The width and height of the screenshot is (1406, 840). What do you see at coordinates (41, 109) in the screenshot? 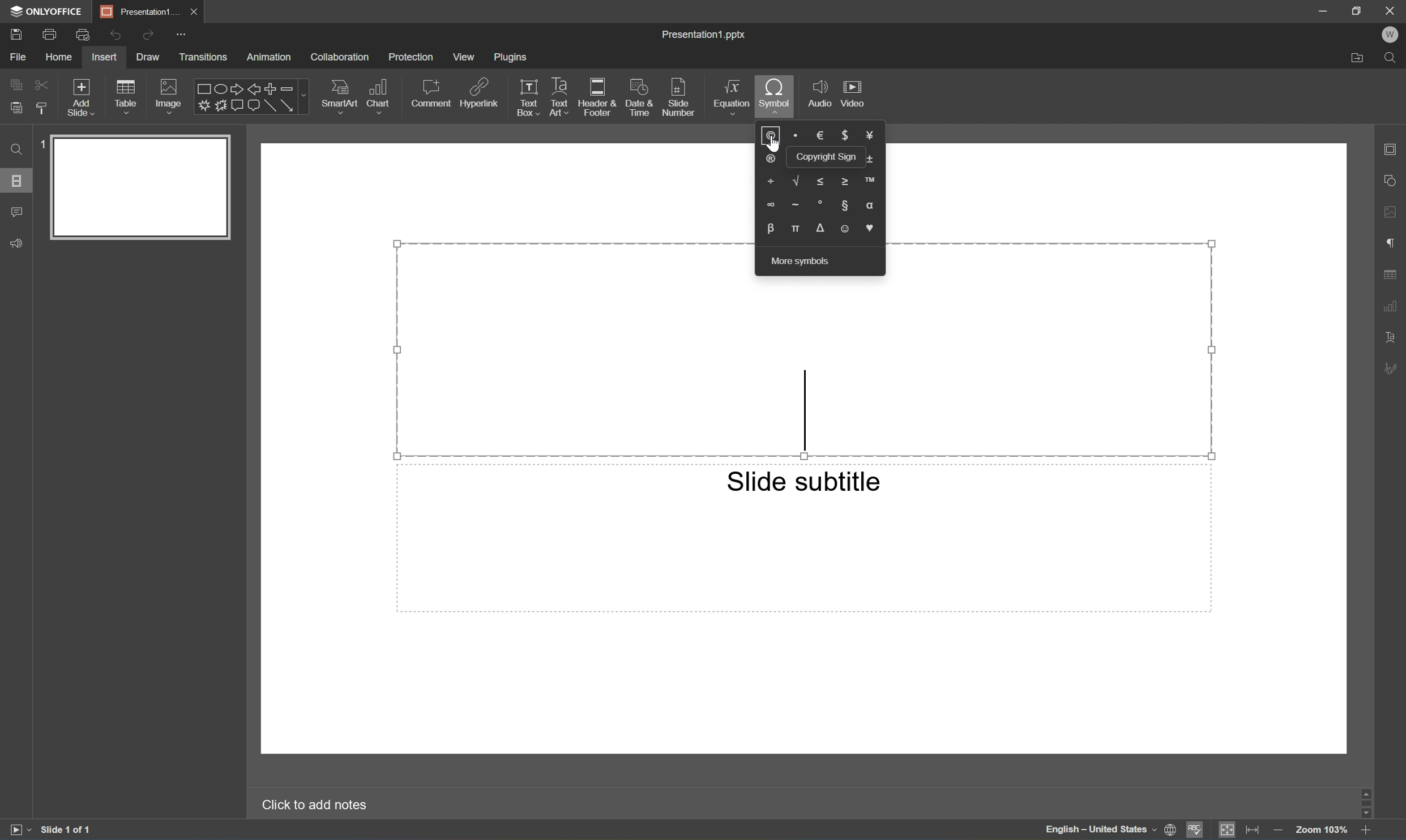
I see `Copy style` at bounding box center [41, 109].